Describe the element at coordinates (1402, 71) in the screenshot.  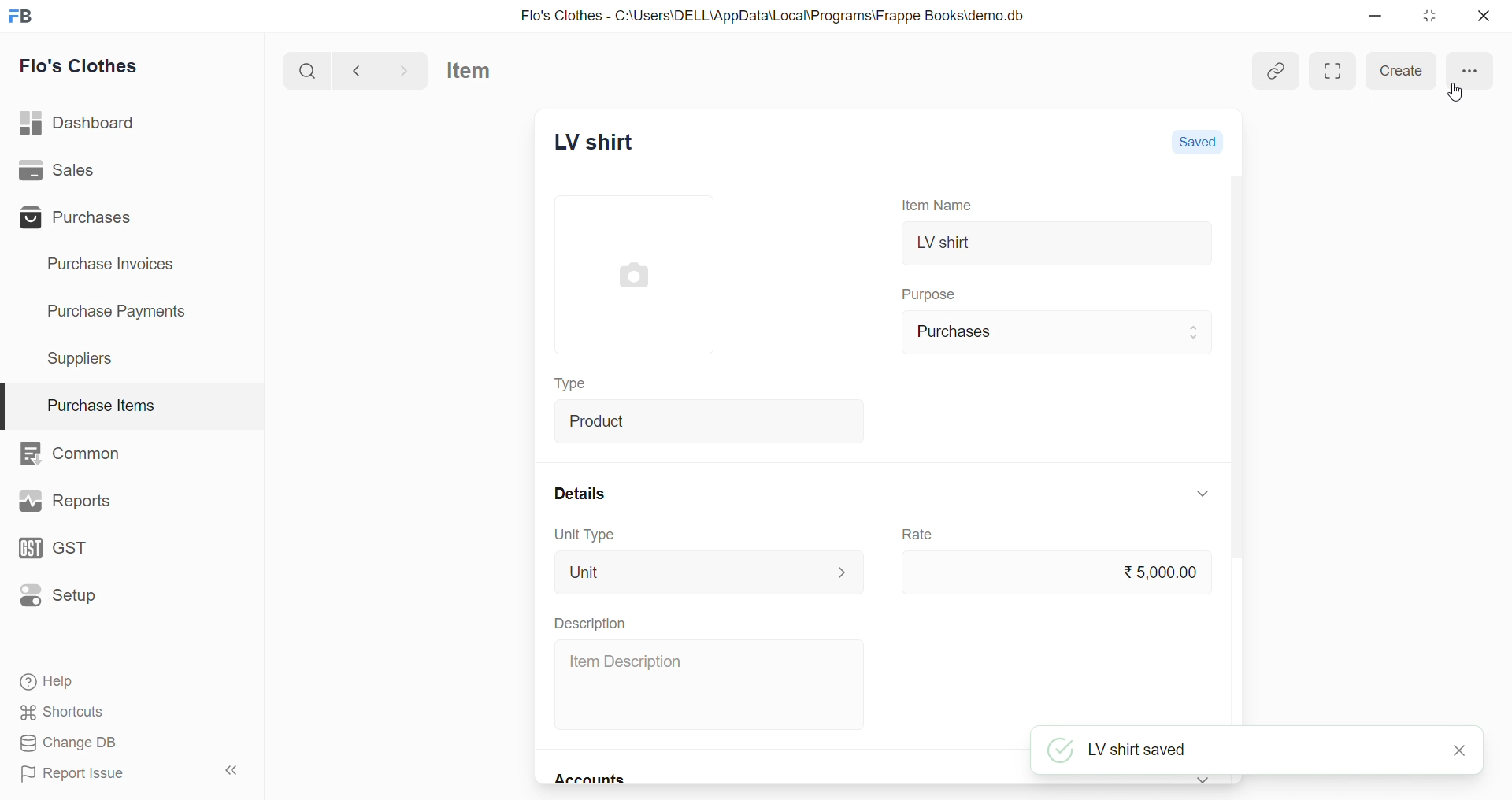
I see `Create` at that location.